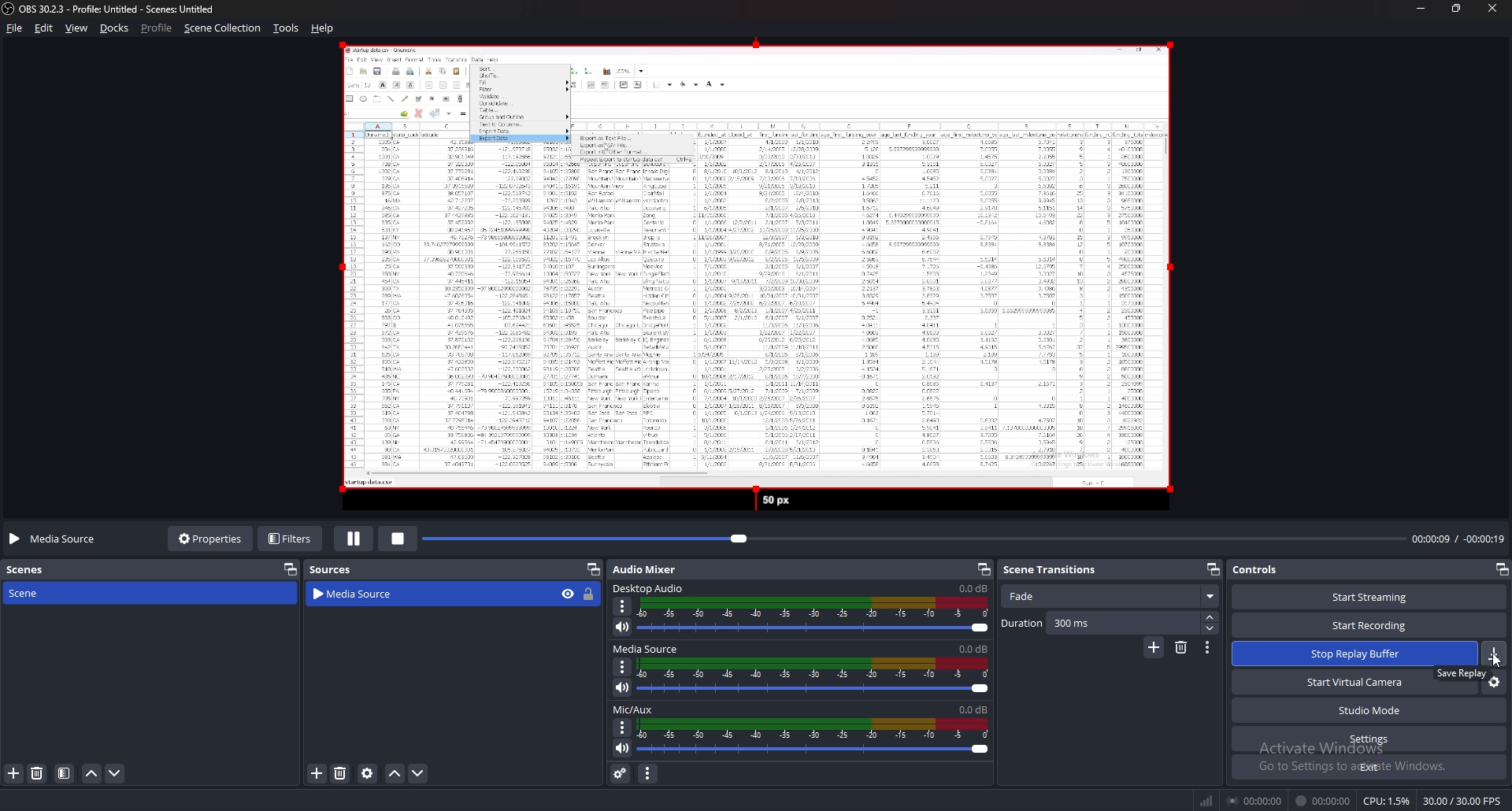  What do you see at coordinates (975, 648) in the screenshot?
I see `0.0db` at bounding box center [975, 648].